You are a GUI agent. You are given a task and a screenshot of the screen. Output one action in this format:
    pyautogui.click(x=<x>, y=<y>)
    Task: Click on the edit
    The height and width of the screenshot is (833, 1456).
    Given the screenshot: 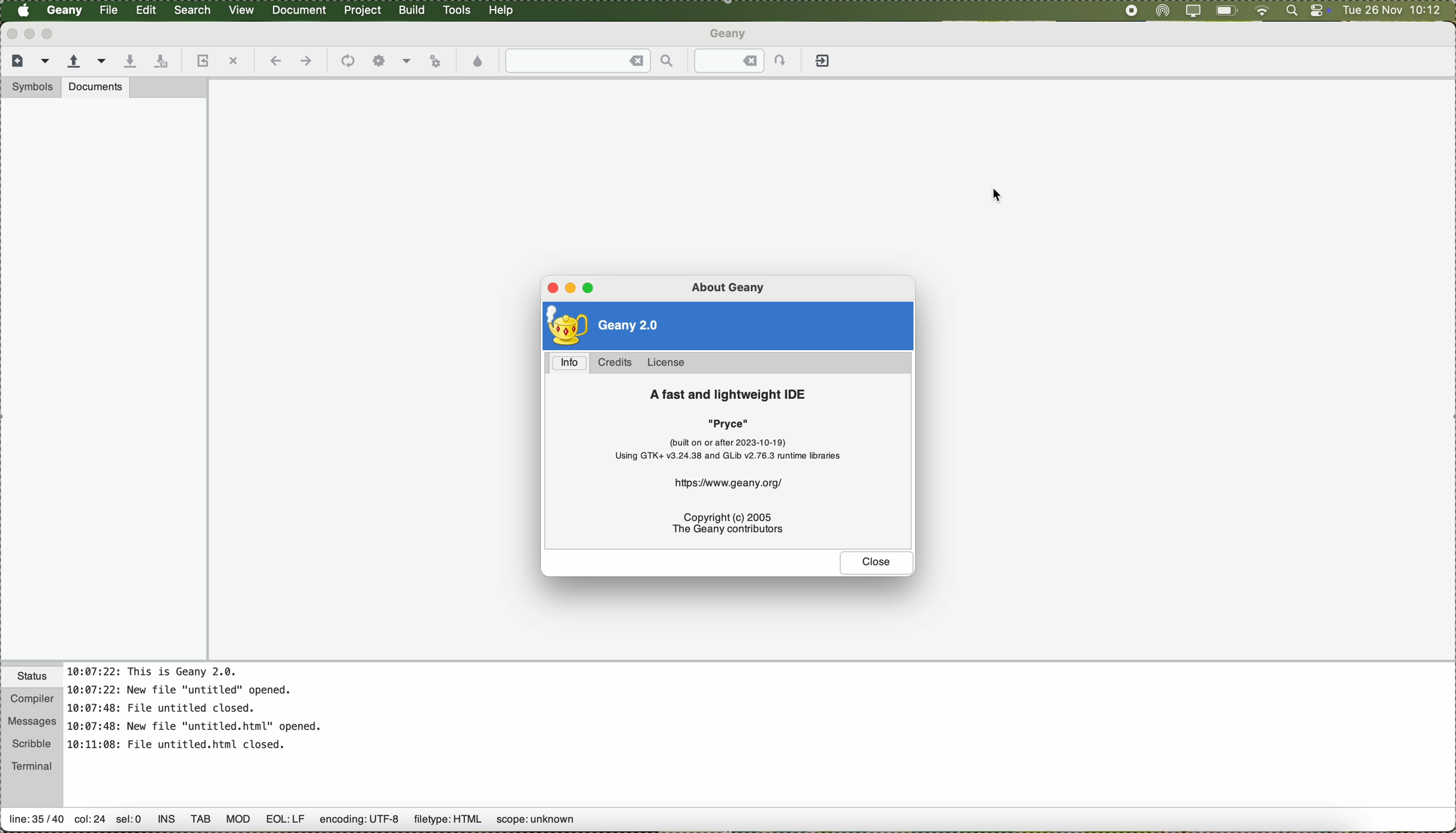 What is the action you would take?
    pyautogui.click(x=148, y=11)
    